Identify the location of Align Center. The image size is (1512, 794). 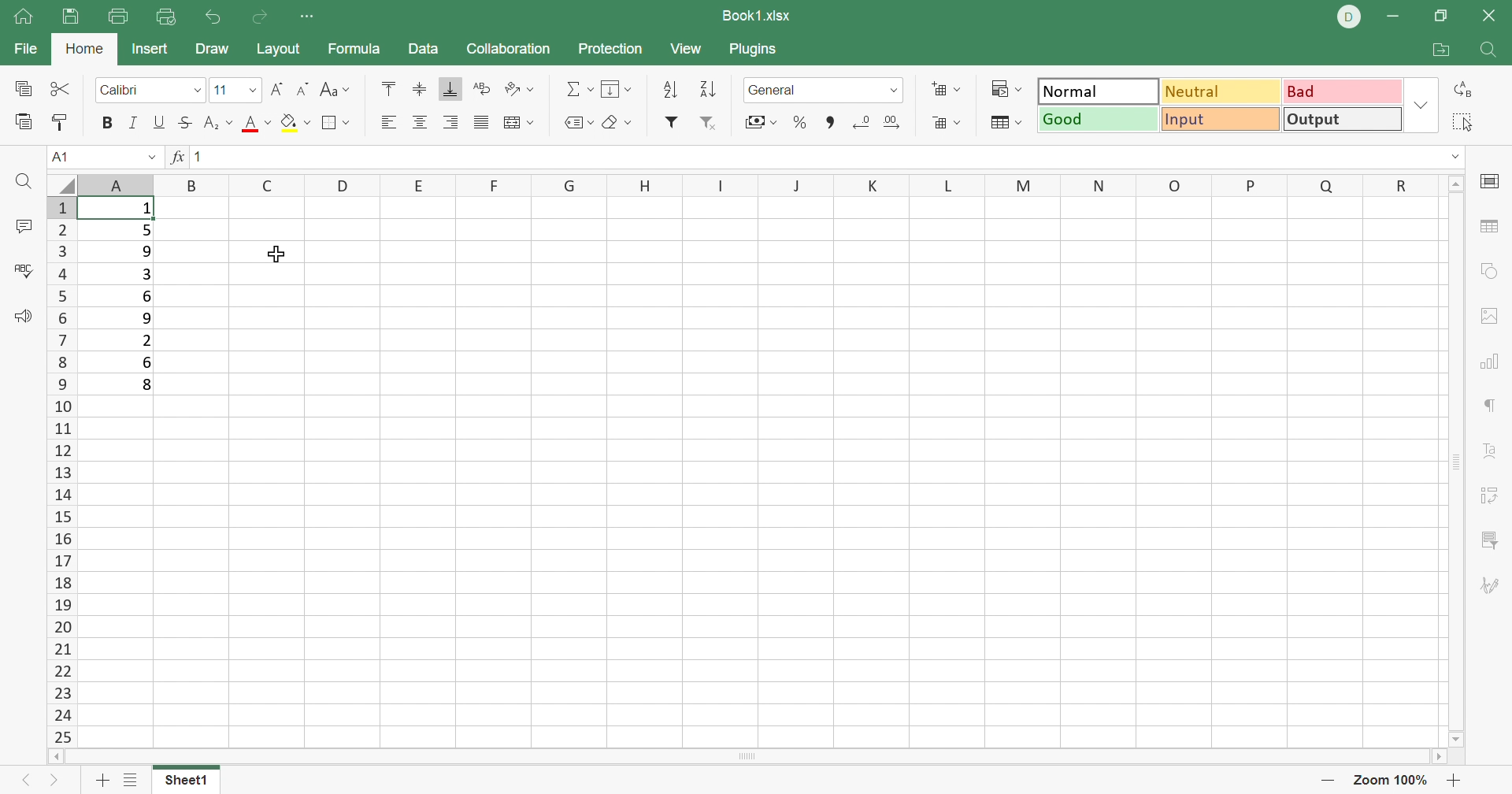
(421, 124).